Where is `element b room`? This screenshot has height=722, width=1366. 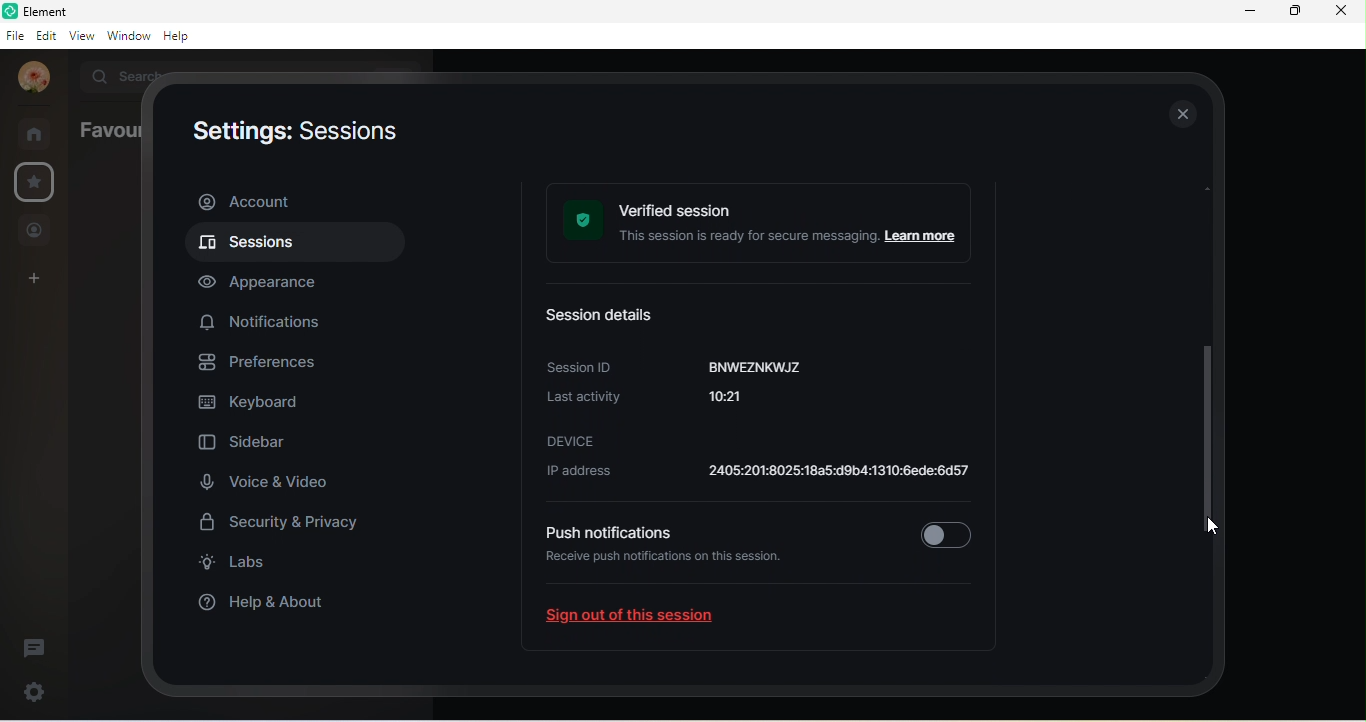 element b room is located at coordinates (76, 11).